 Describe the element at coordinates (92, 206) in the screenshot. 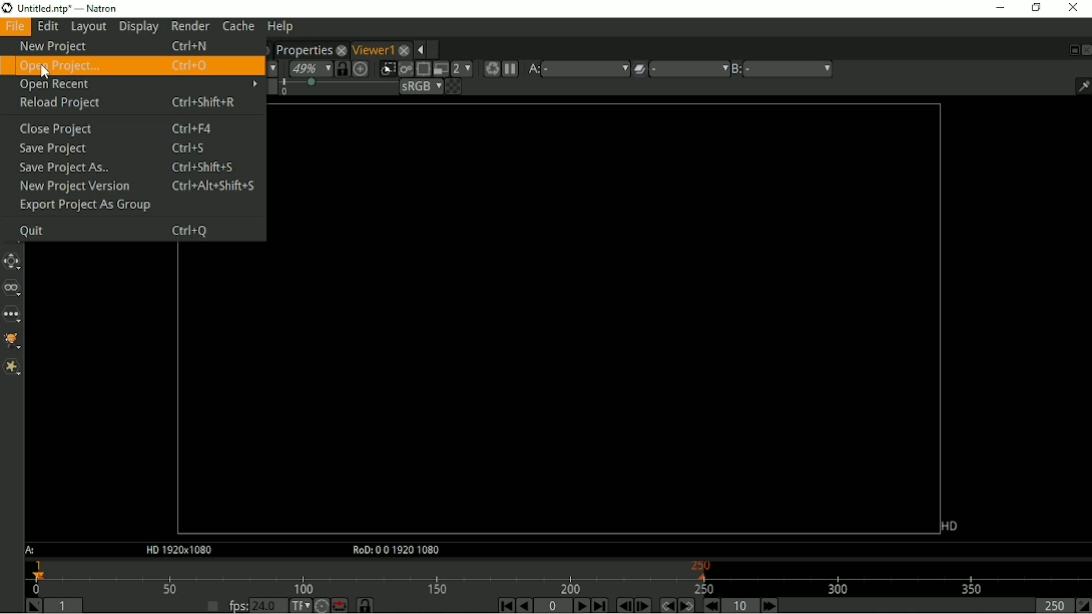

I see `Export Project As Group` at that location.